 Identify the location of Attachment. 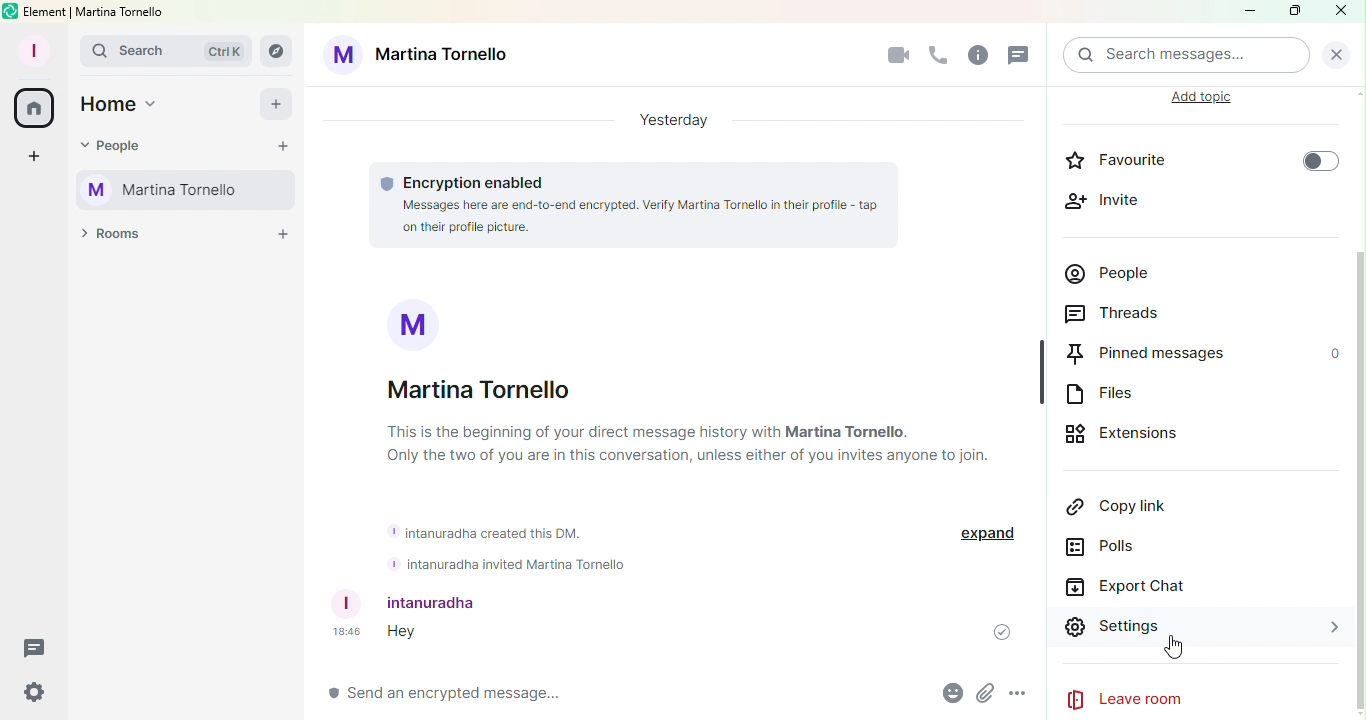
(984, 693).